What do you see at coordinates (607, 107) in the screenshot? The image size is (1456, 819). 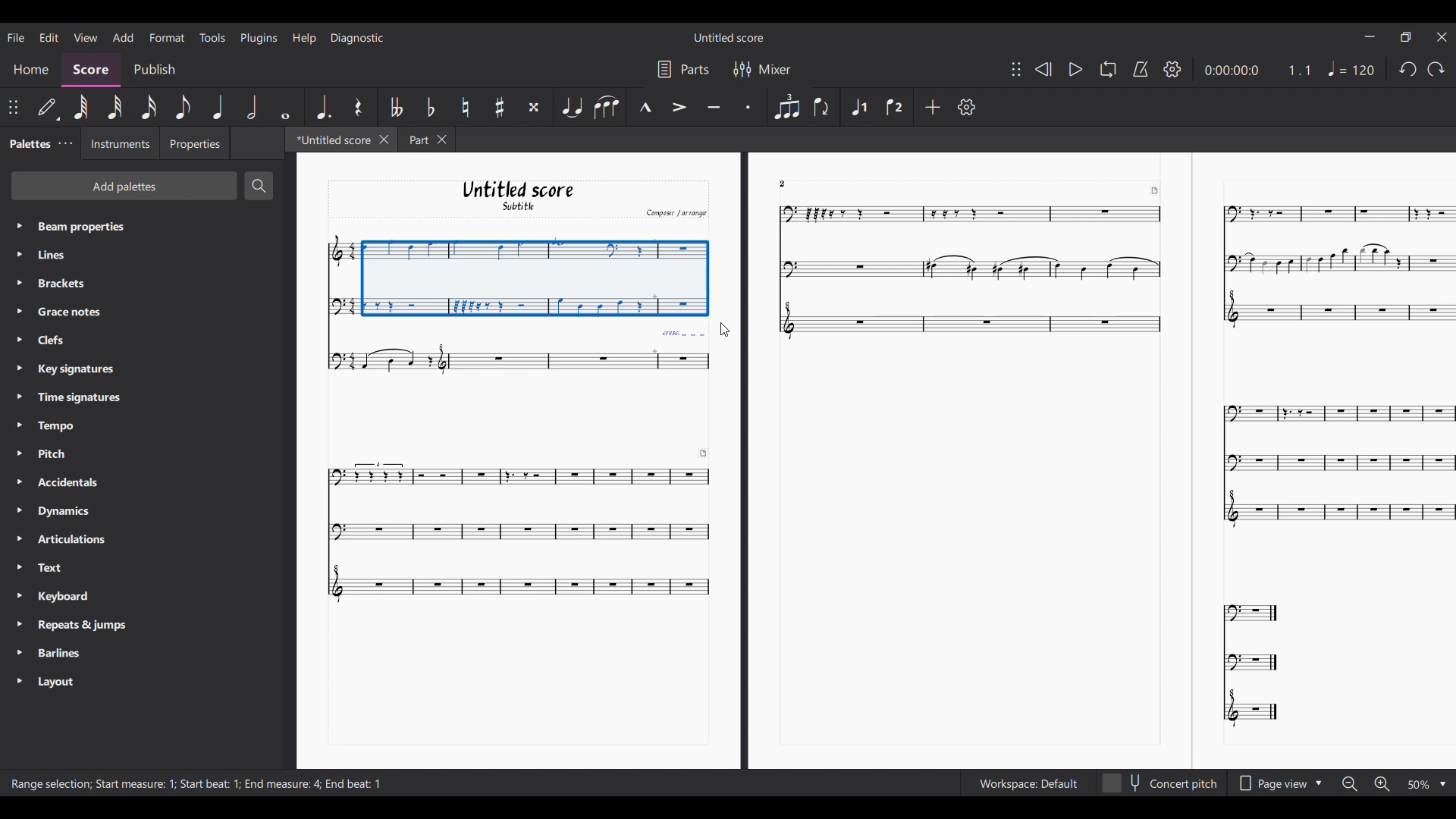 I see `Slur` at bounding box center [607, 107].